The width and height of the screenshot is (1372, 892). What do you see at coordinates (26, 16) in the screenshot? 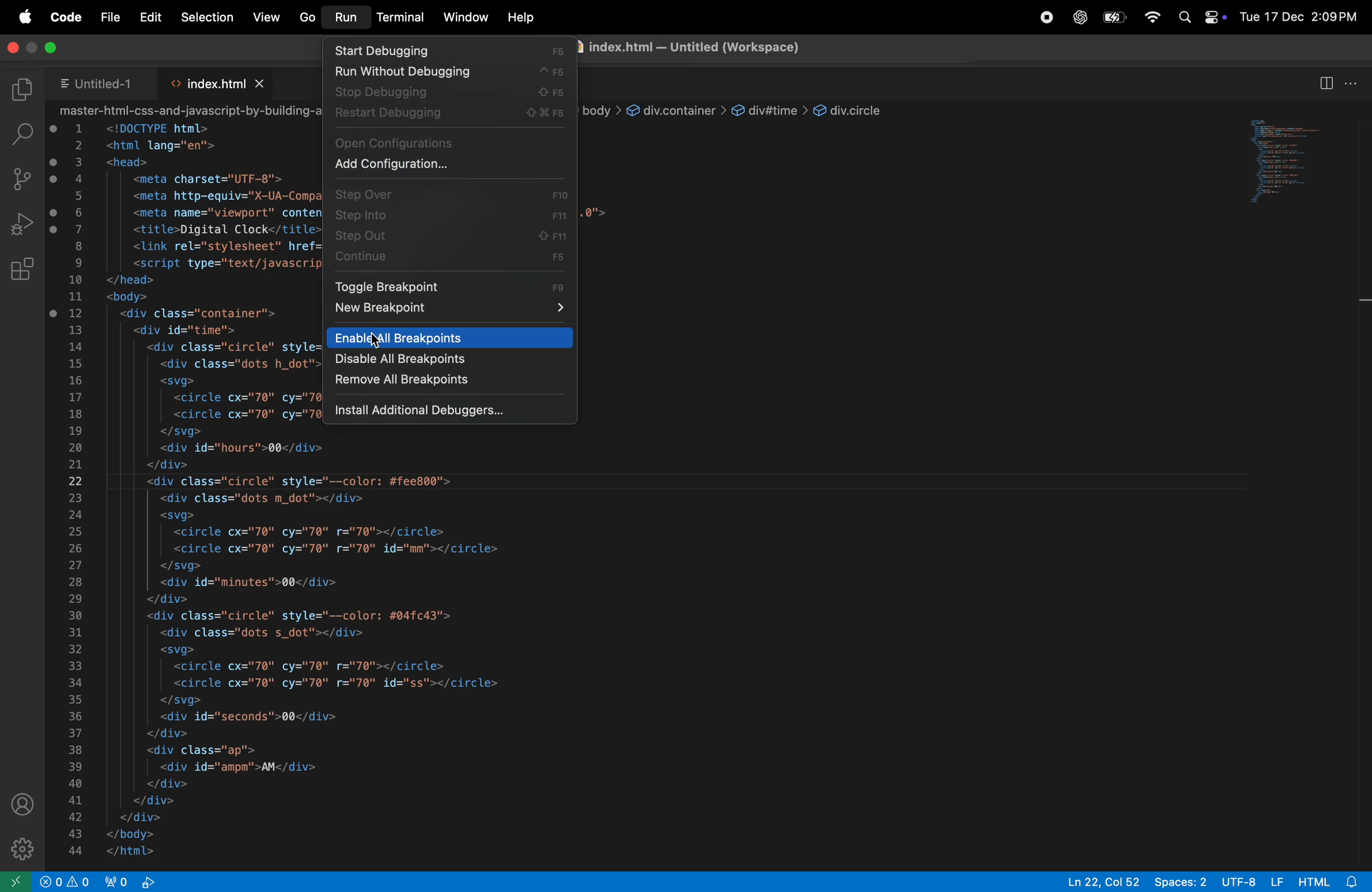
I see `apple menu` at bounding box center [26, 16].